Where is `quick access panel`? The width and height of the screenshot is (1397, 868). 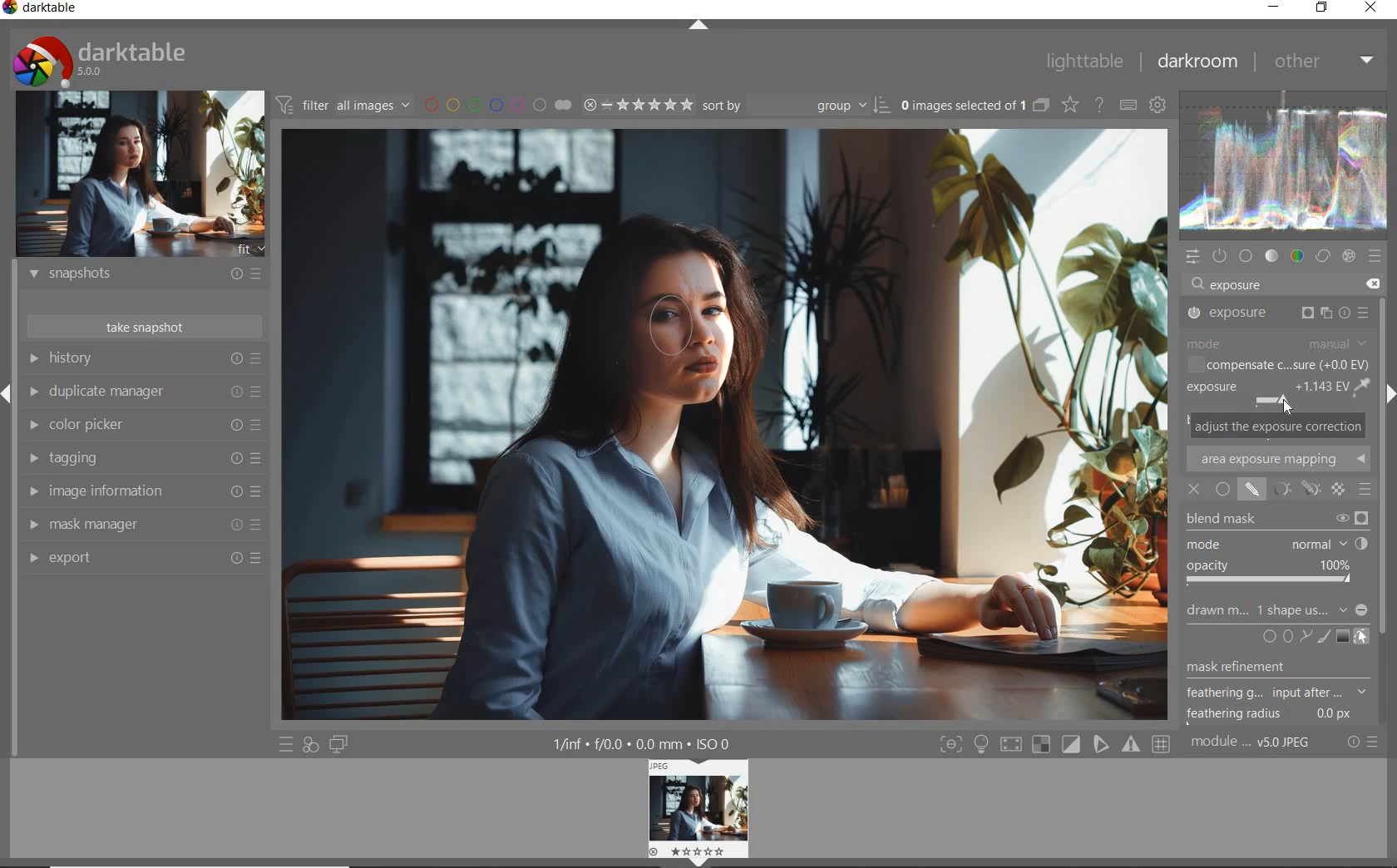
quick access panel is located at coordinates (1193, 257).